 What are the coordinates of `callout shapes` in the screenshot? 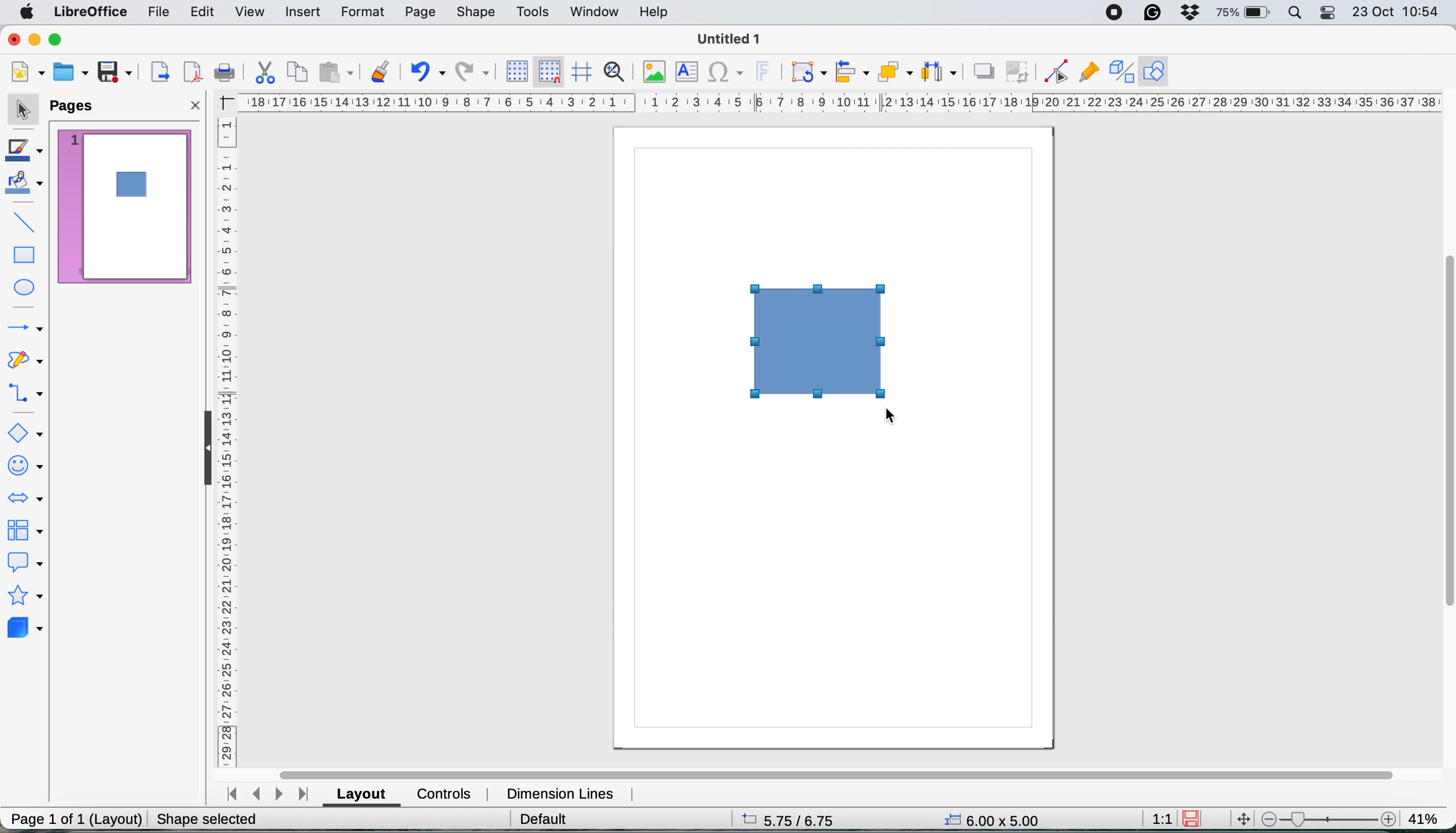 It's located at (26, 563).